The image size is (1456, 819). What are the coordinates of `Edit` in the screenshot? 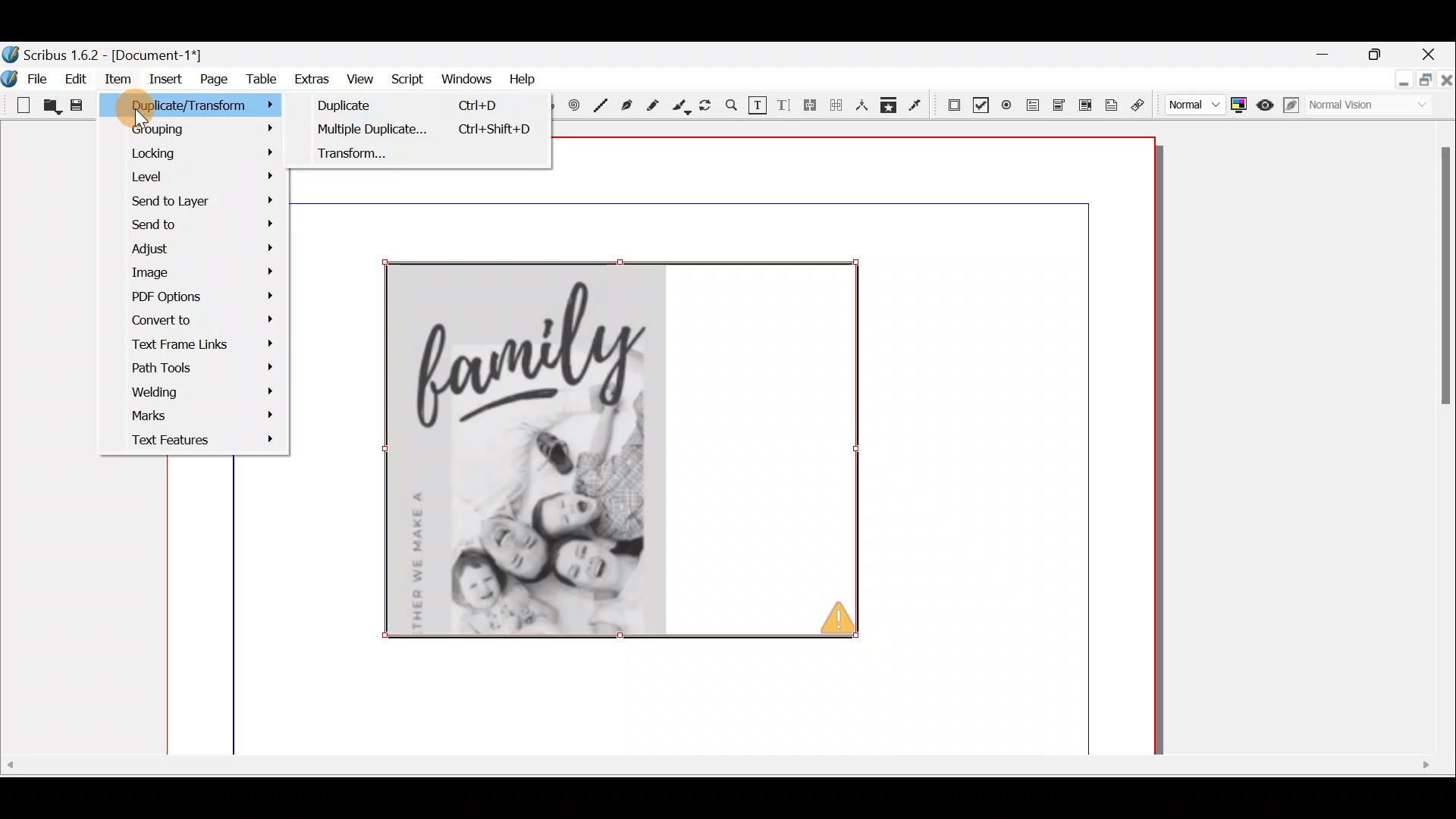 It's located at (75, 81).